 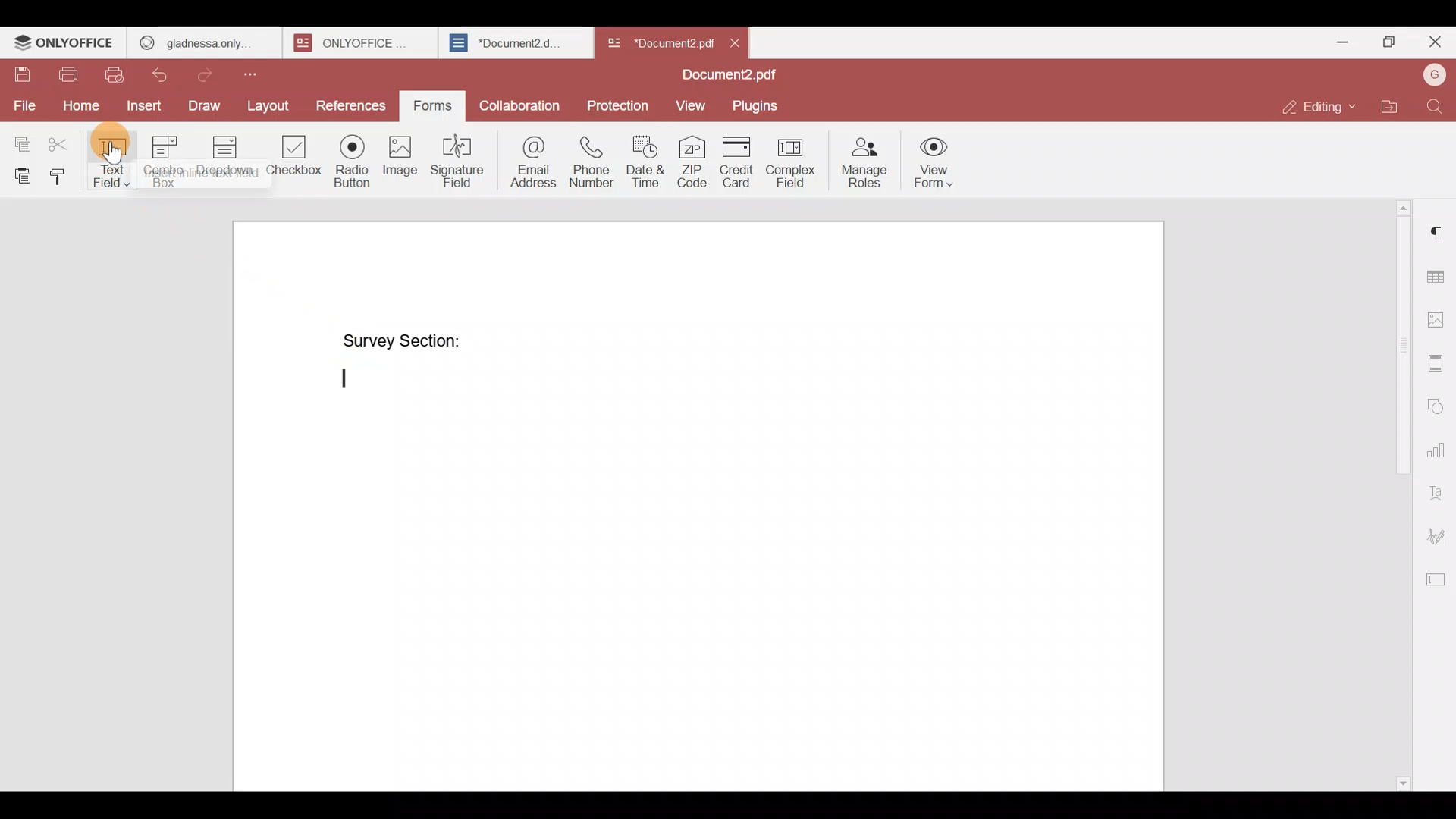 I want to click on Home, so click(x=79, y=104).